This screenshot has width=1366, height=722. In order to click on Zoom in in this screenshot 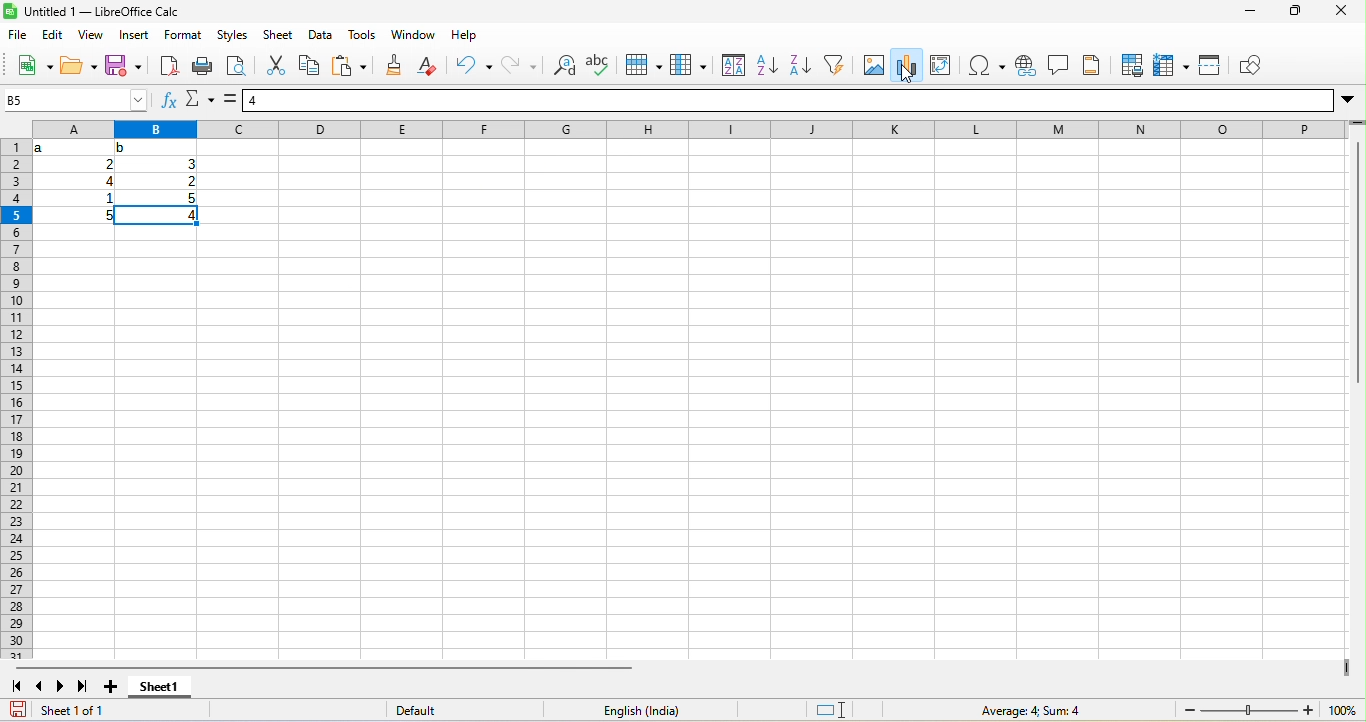, I will do `click(1308, 710)`.